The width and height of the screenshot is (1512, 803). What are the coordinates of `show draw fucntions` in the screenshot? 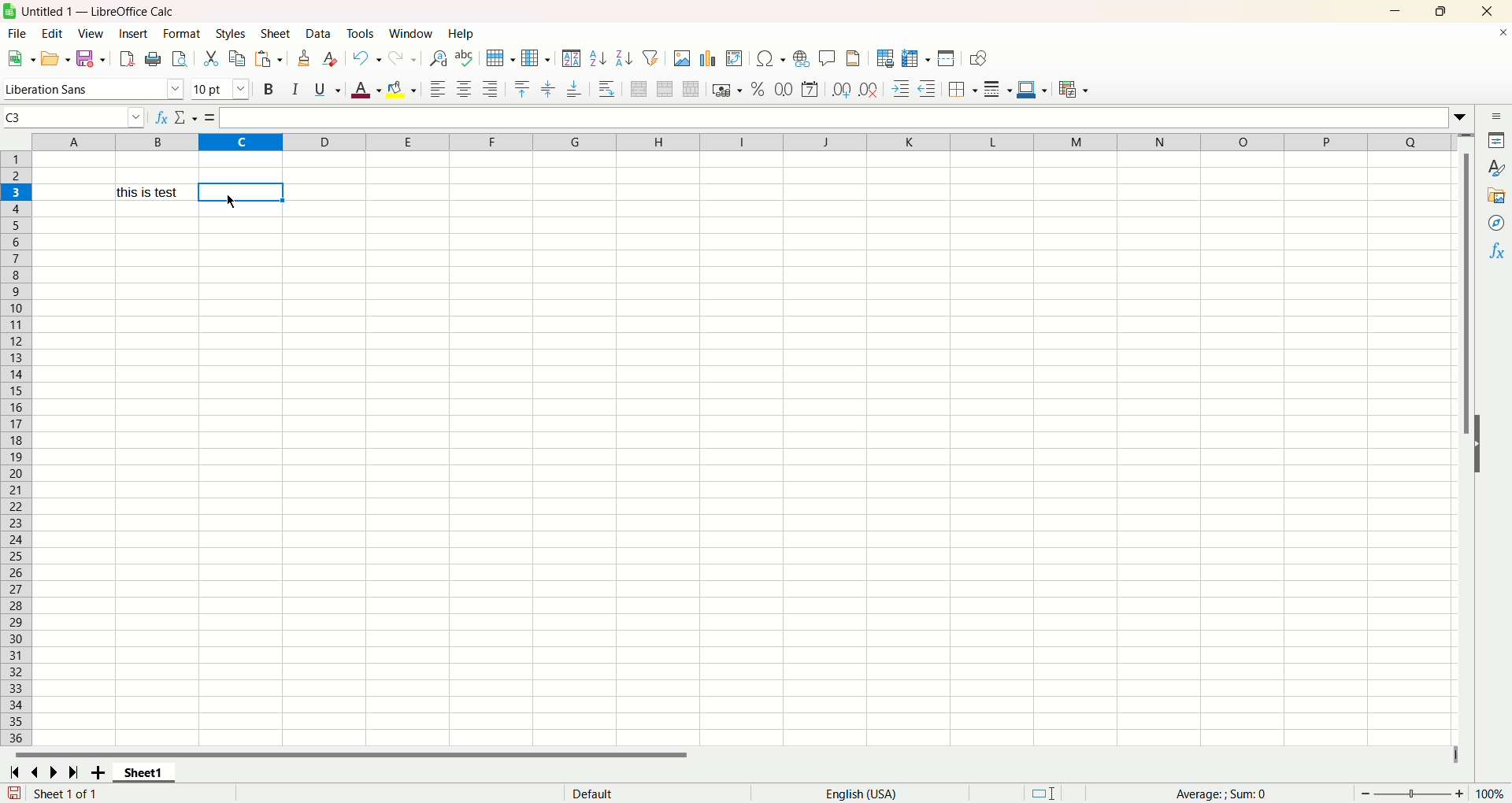 It's located at (978, 58).